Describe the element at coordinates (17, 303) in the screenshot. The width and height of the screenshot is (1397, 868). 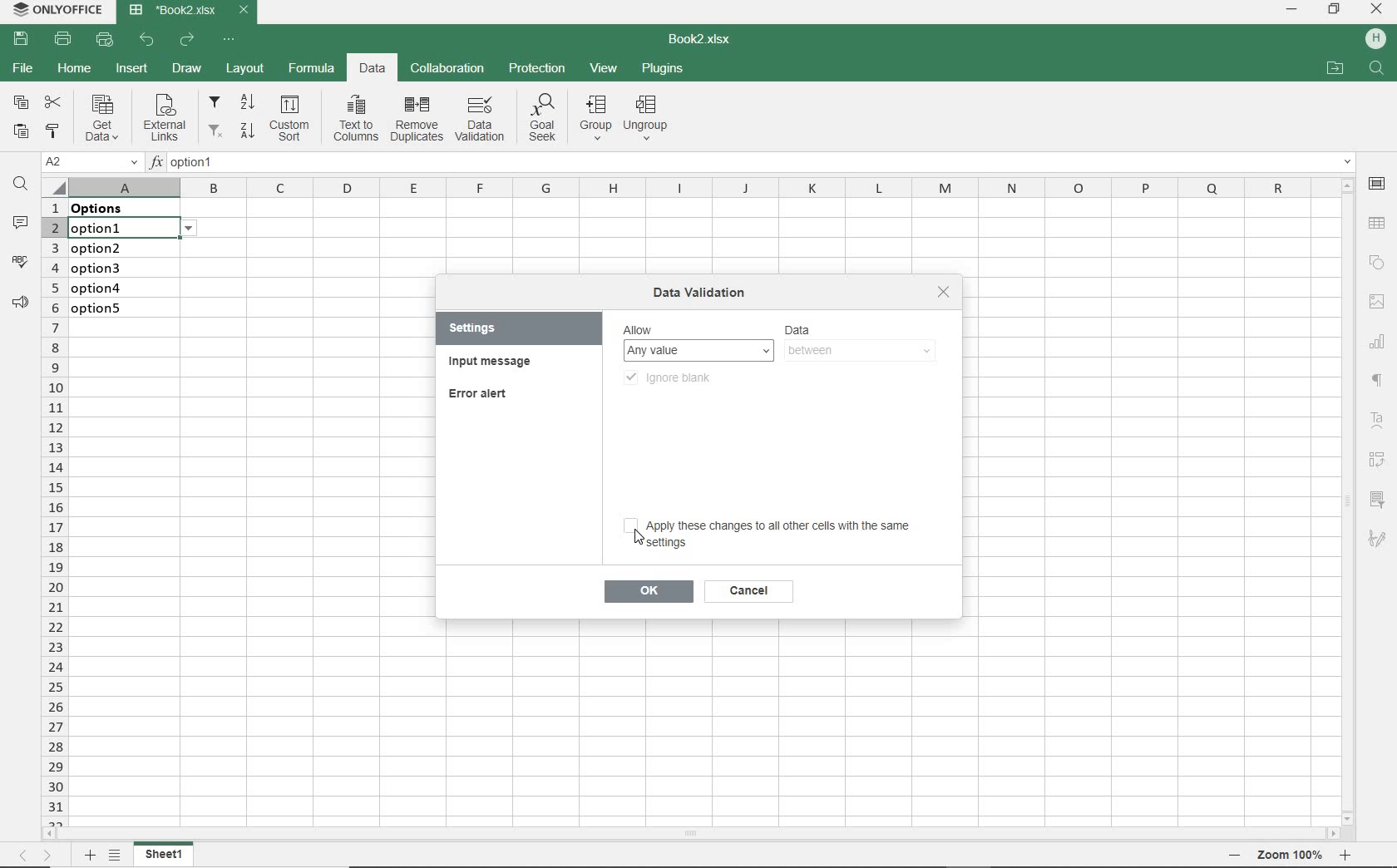
I see `PARAGRAPH SETTINGS` at that location.